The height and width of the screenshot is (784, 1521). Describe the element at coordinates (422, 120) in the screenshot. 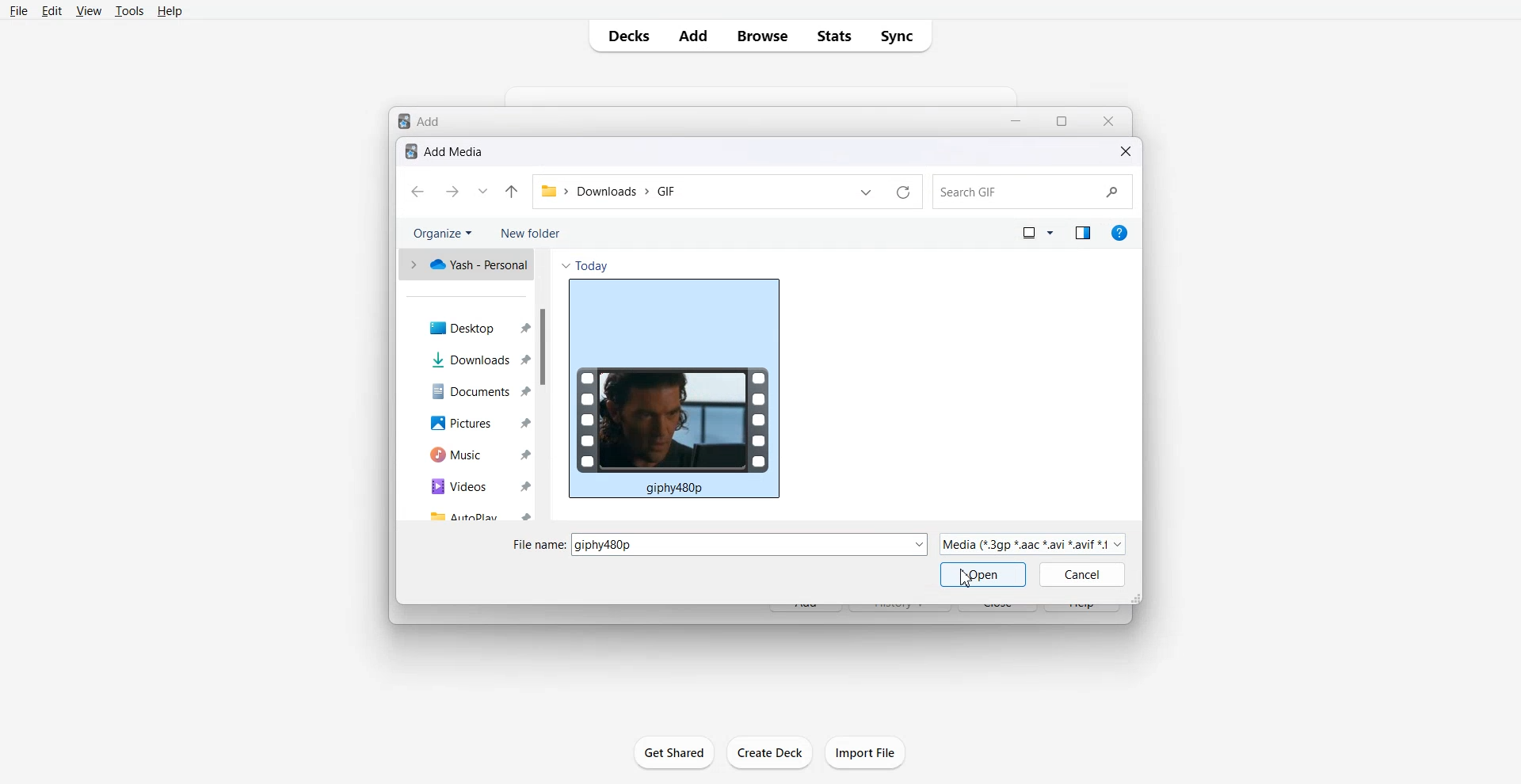

I see `Text` at that location.